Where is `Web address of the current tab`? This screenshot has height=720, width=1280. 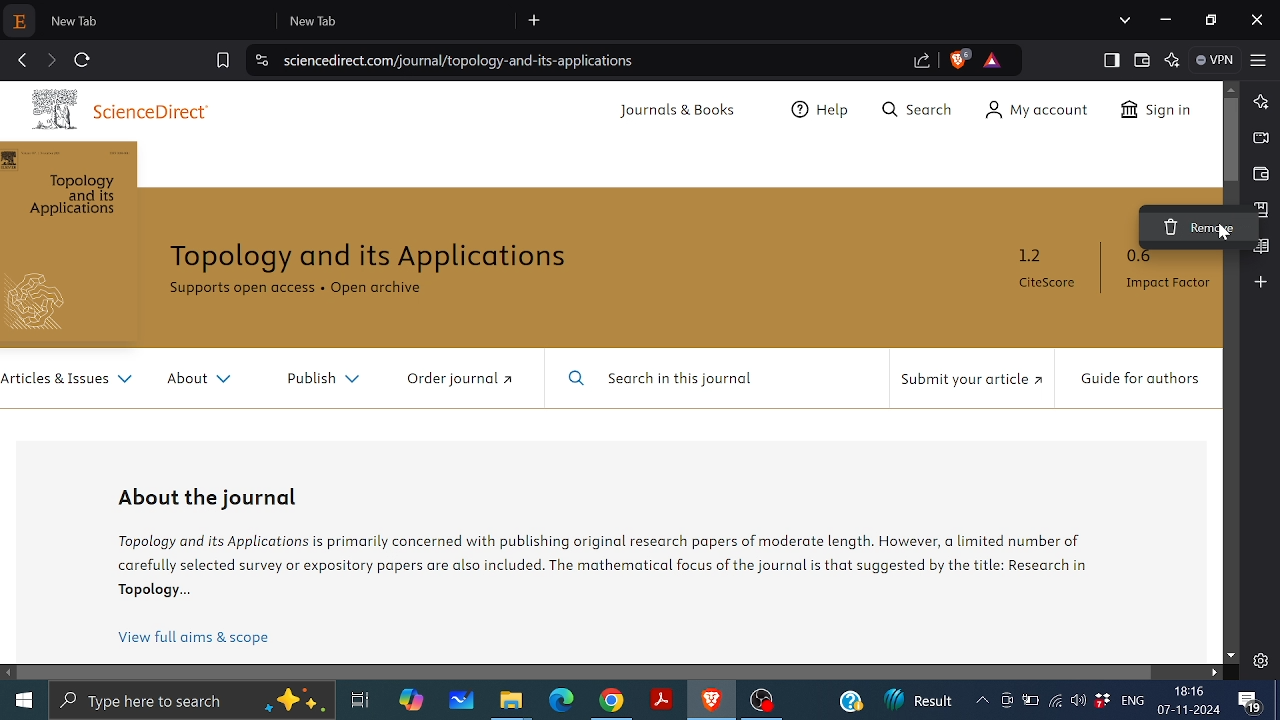 Web address of the current tab is located at coordinates (462, 60).